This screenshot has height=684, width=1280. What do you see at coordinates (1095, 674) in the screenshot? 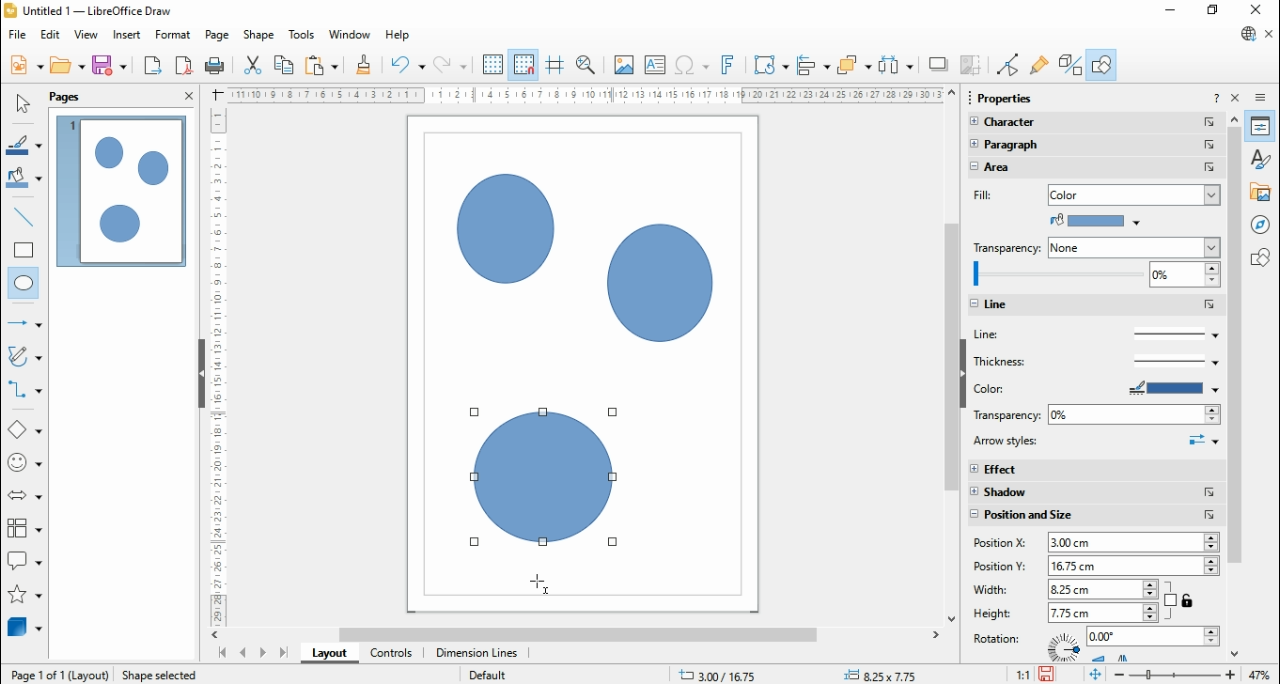
I see `fir page to current window` at bounding box center [1095, 674].